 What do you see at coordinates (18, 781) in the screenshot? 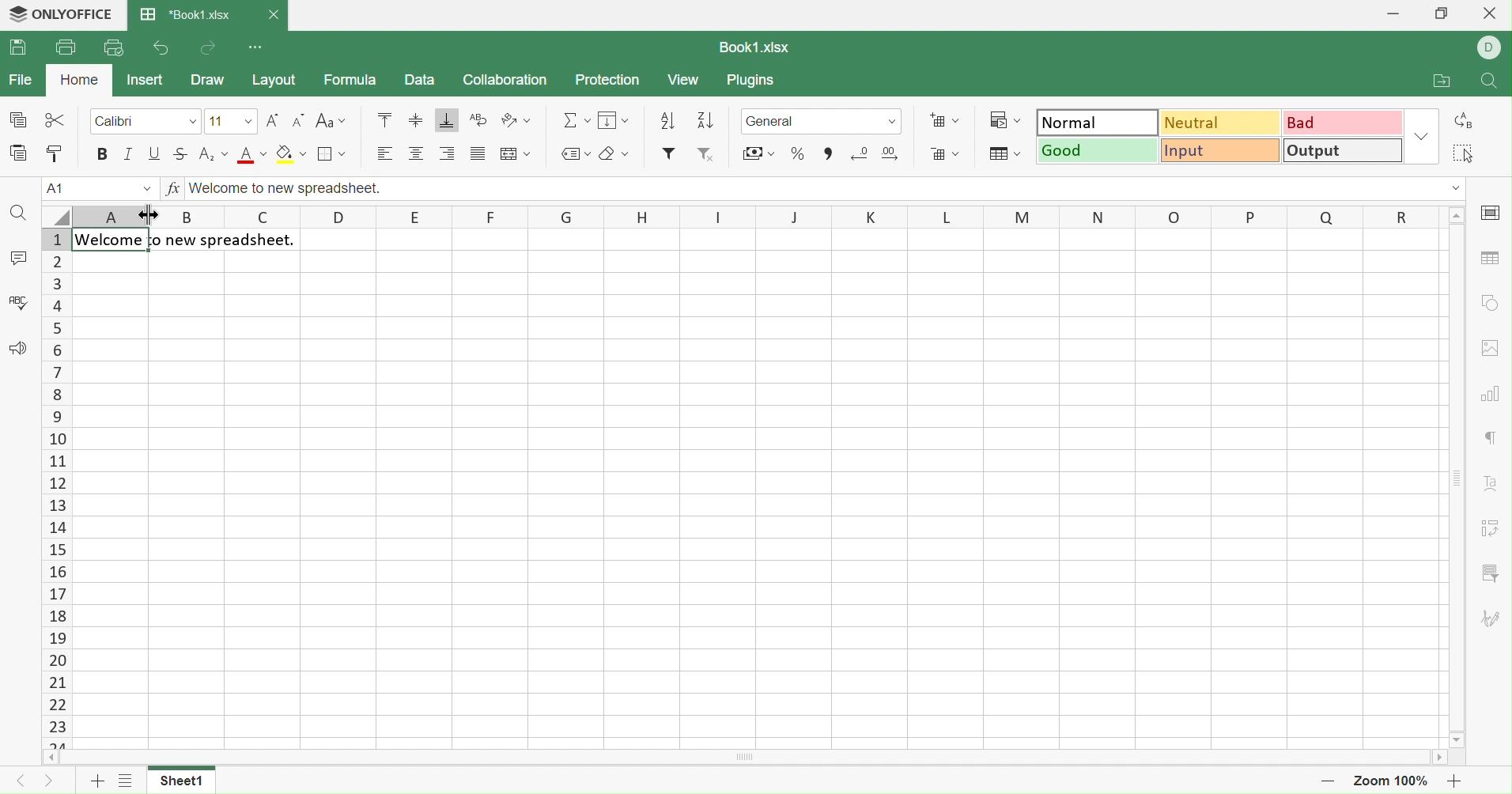
I see `Previous` at bounding box center [18, 781].